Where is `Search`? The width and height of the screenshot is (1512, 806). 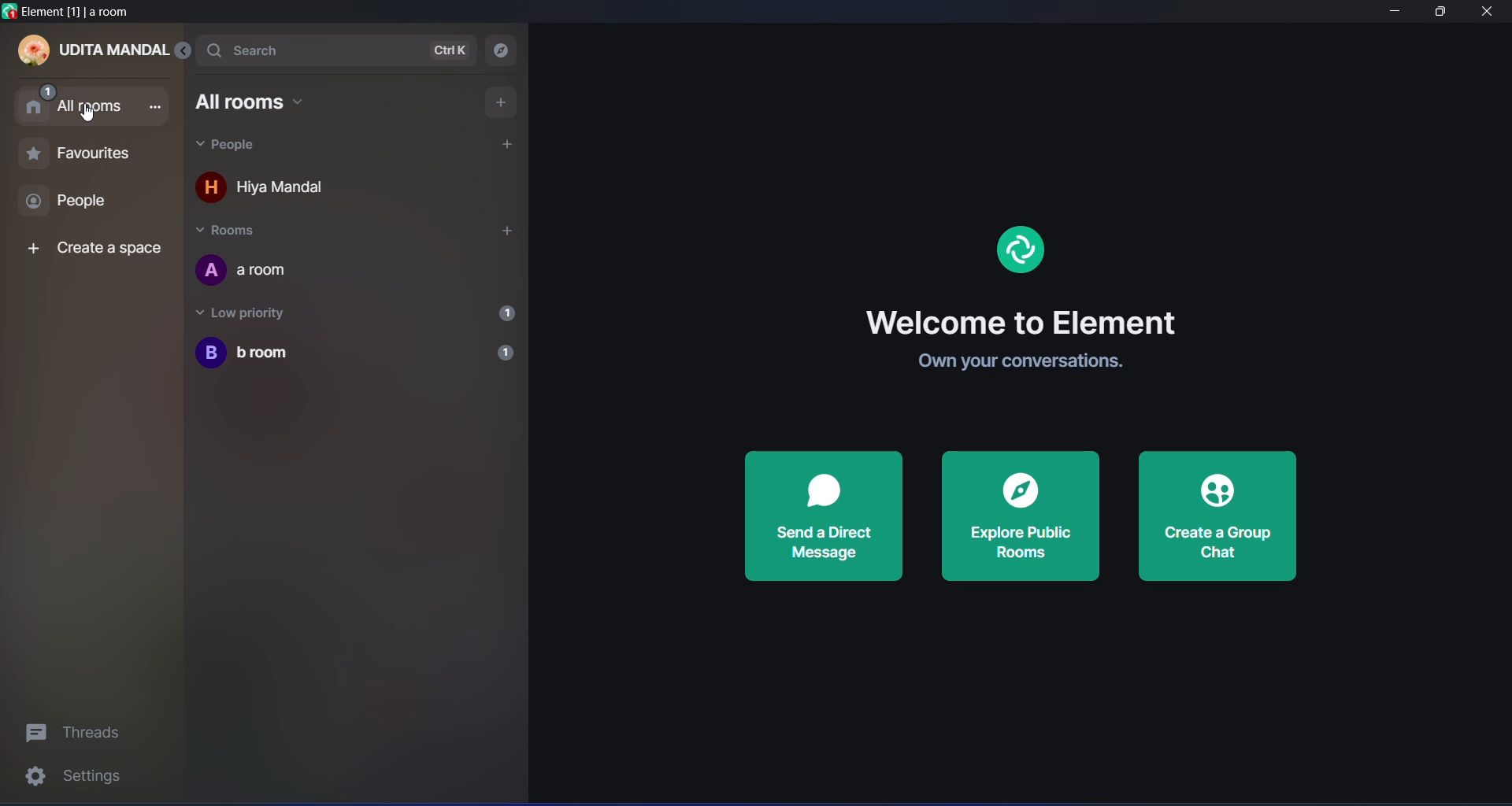 Search is located at coordinates (266, 49).